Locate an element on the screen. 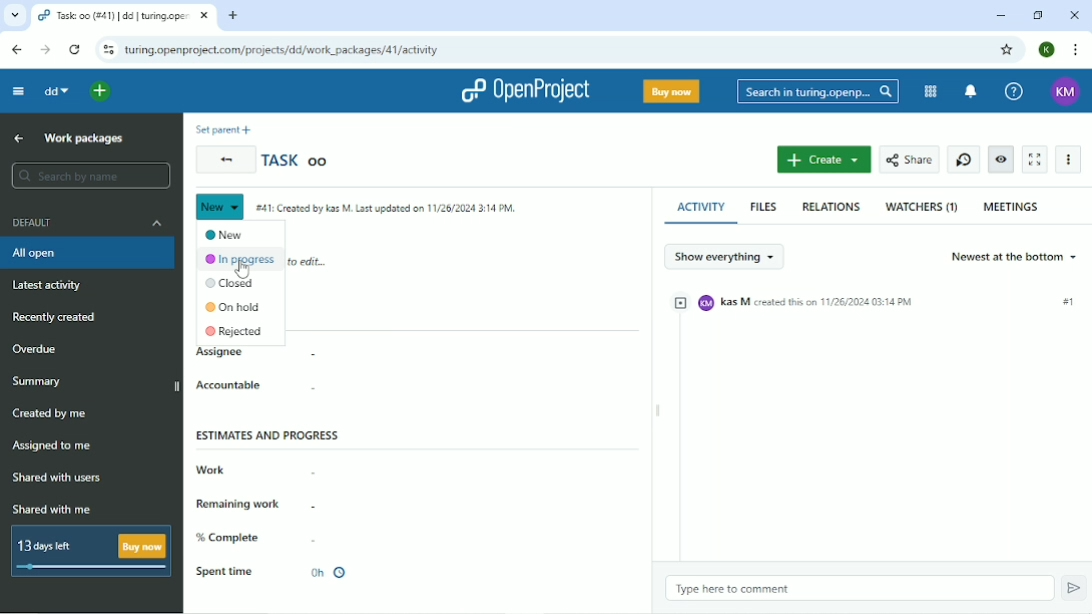  Spent time 0h is located at coordinates (273, 572).